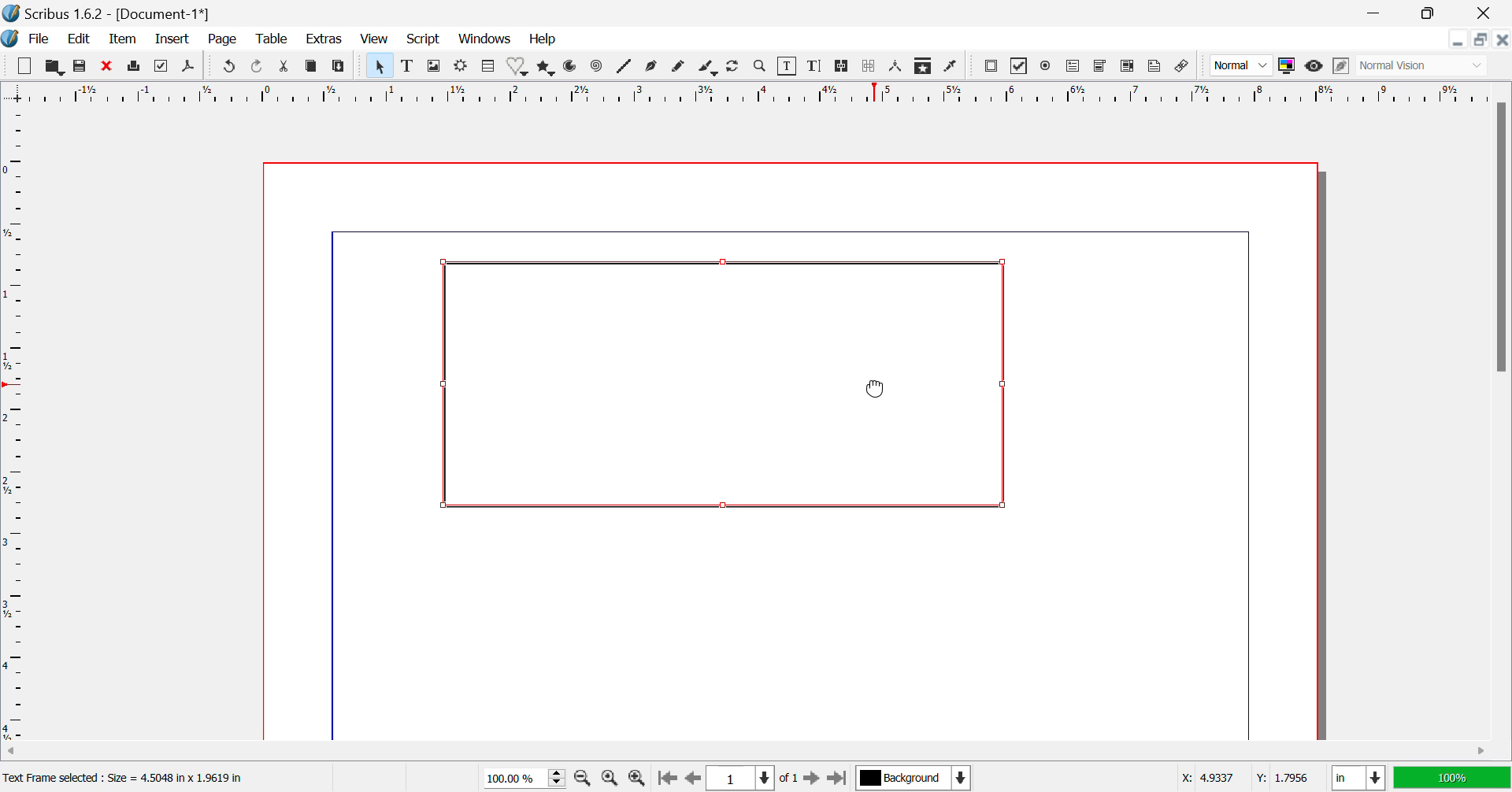  I want to click on Text Frame selected : Size = 4.5048 in x 1.9619 in, so click(130, 778).